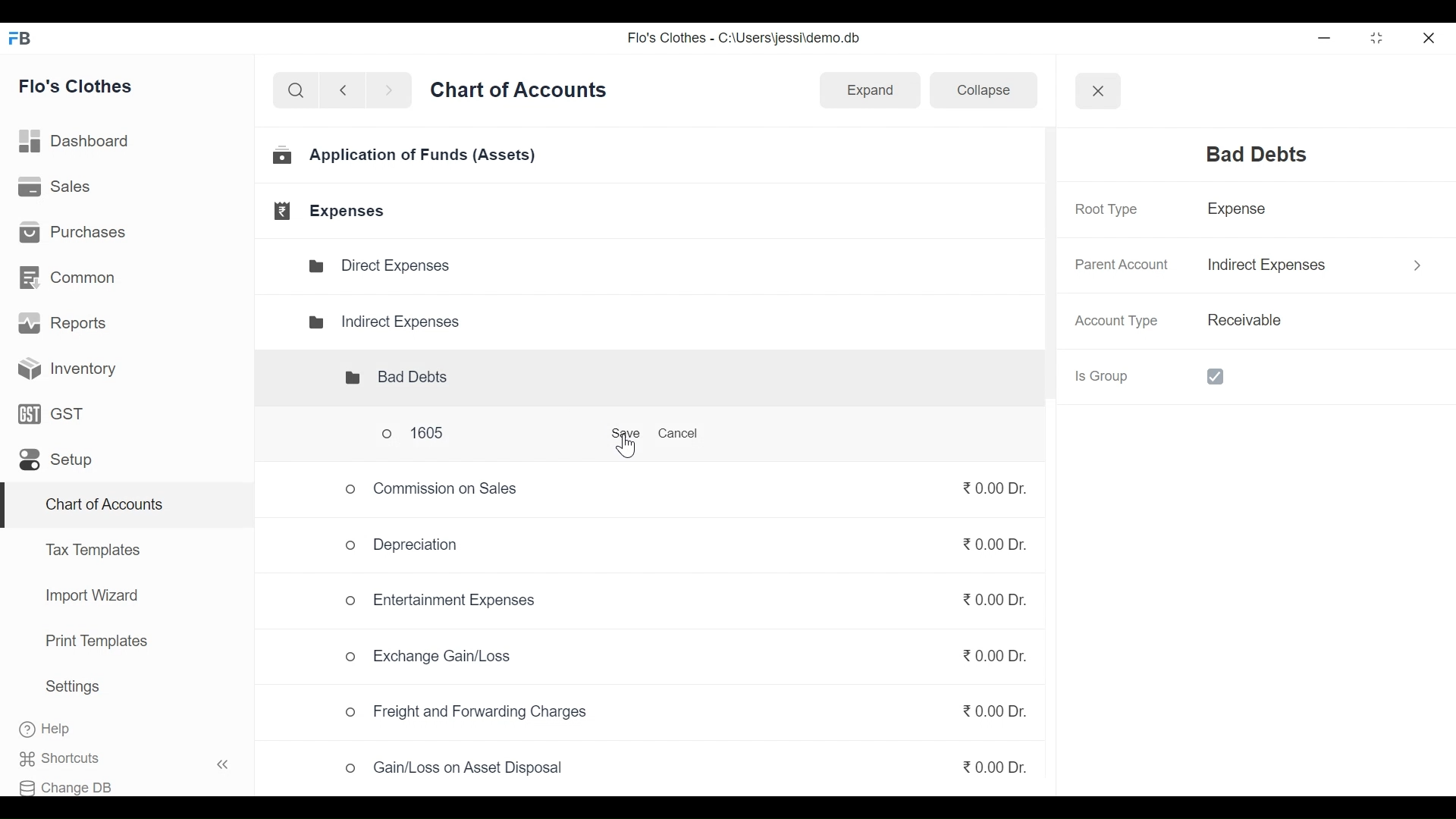 The height and width of the screenshot is (819, 1456). I want to click on Change DB, so click(74, 784).